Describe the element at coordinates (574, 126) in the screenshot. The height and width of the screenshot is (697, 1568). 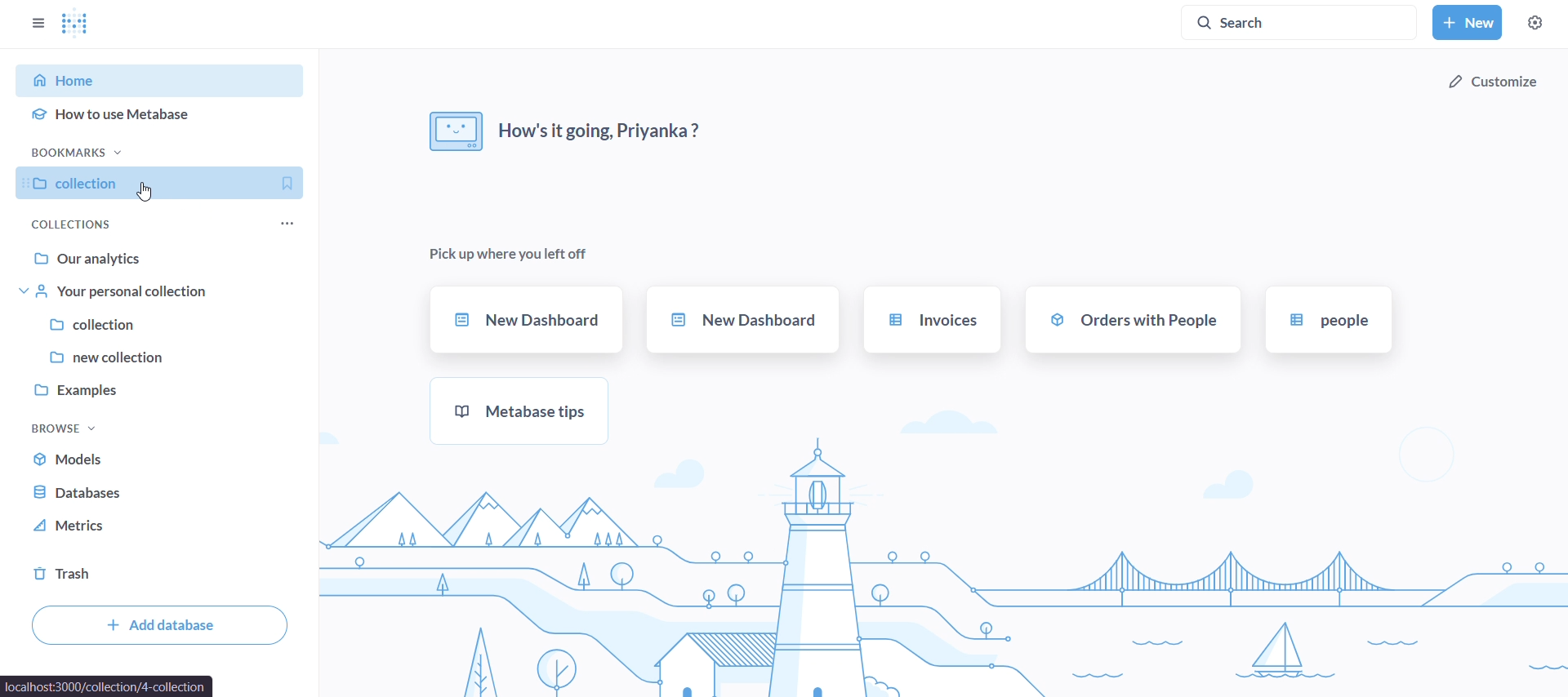
I see `how's it going, Priyanka?` at that location.